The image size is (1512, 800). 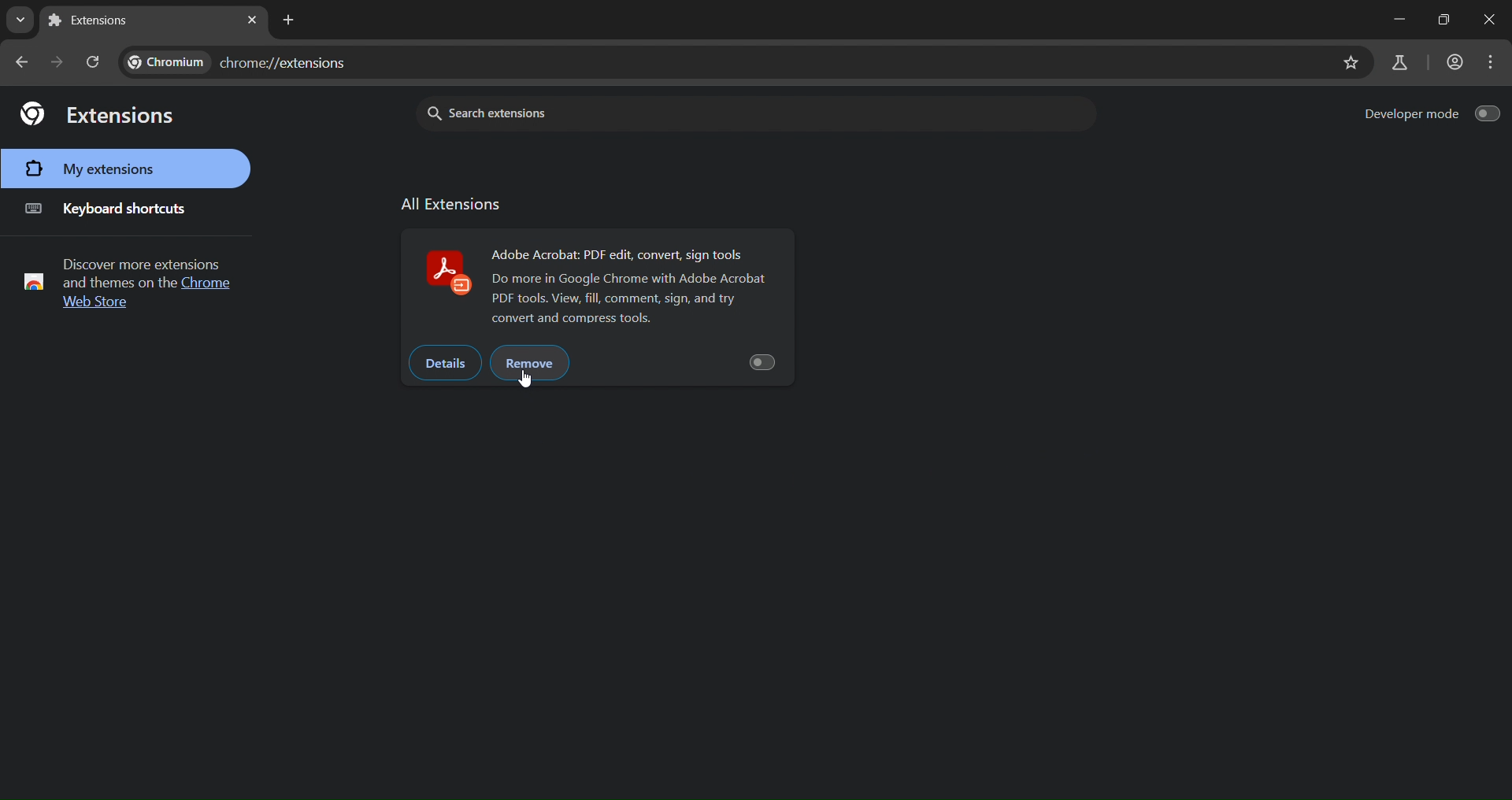 I want to click on allextension, so click(x=450, y=203).